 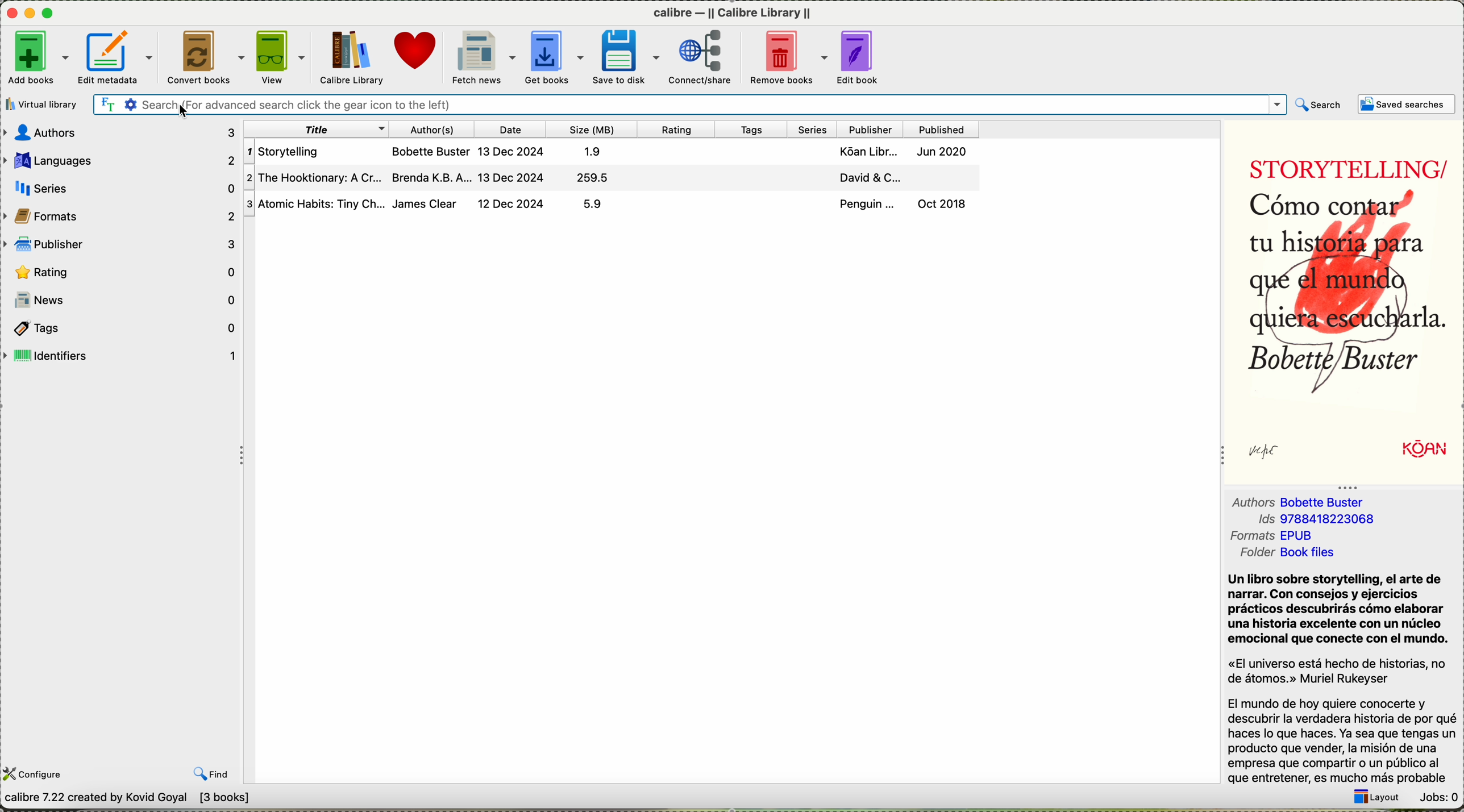 What do you see at coordinates (238, 455) in the screenshot?
I see `Collapse` at bounding box center [238, 455].